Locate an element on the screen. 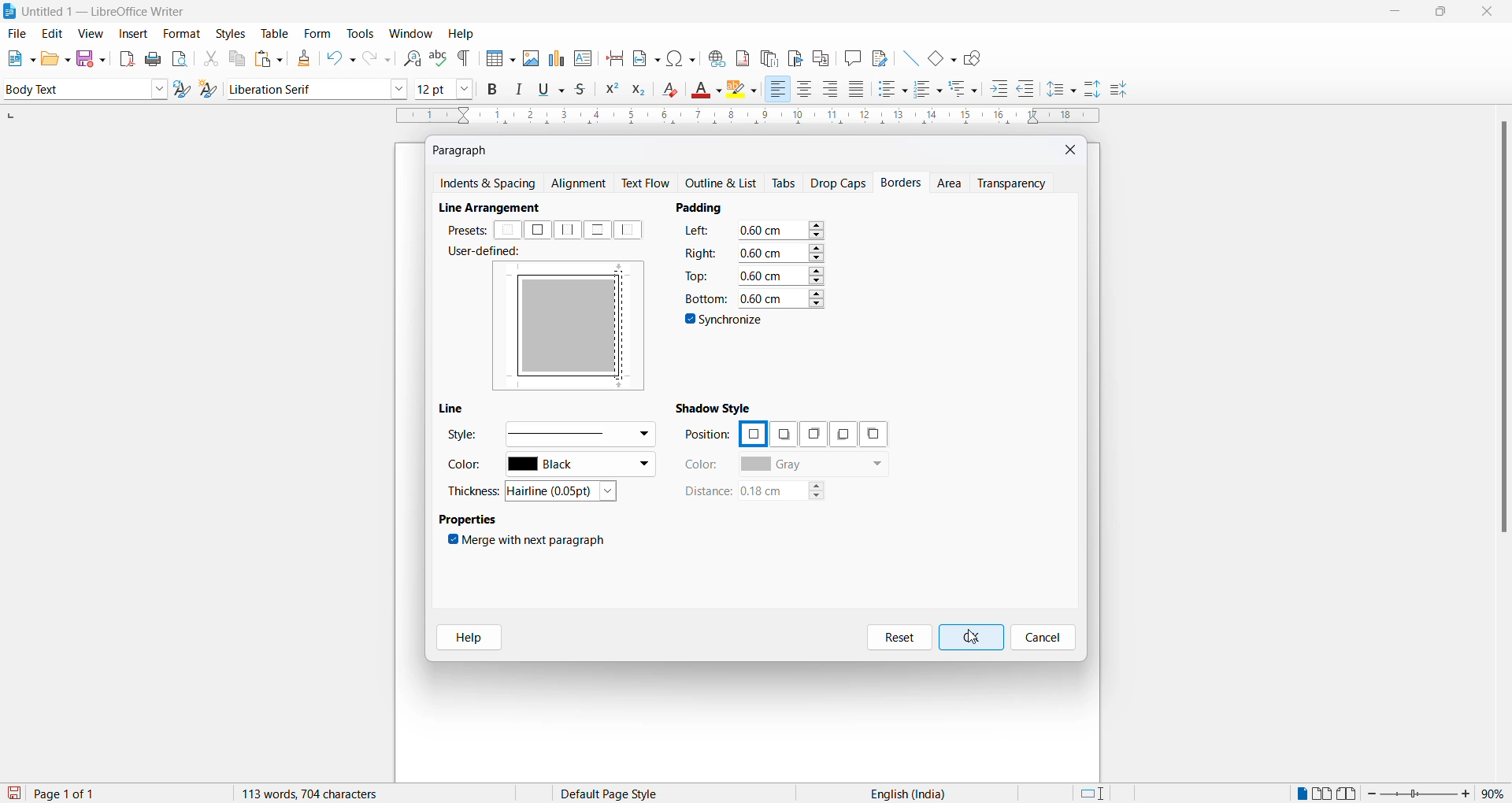 The image size is (1512, 803). print is located at coordinates (154, 59).